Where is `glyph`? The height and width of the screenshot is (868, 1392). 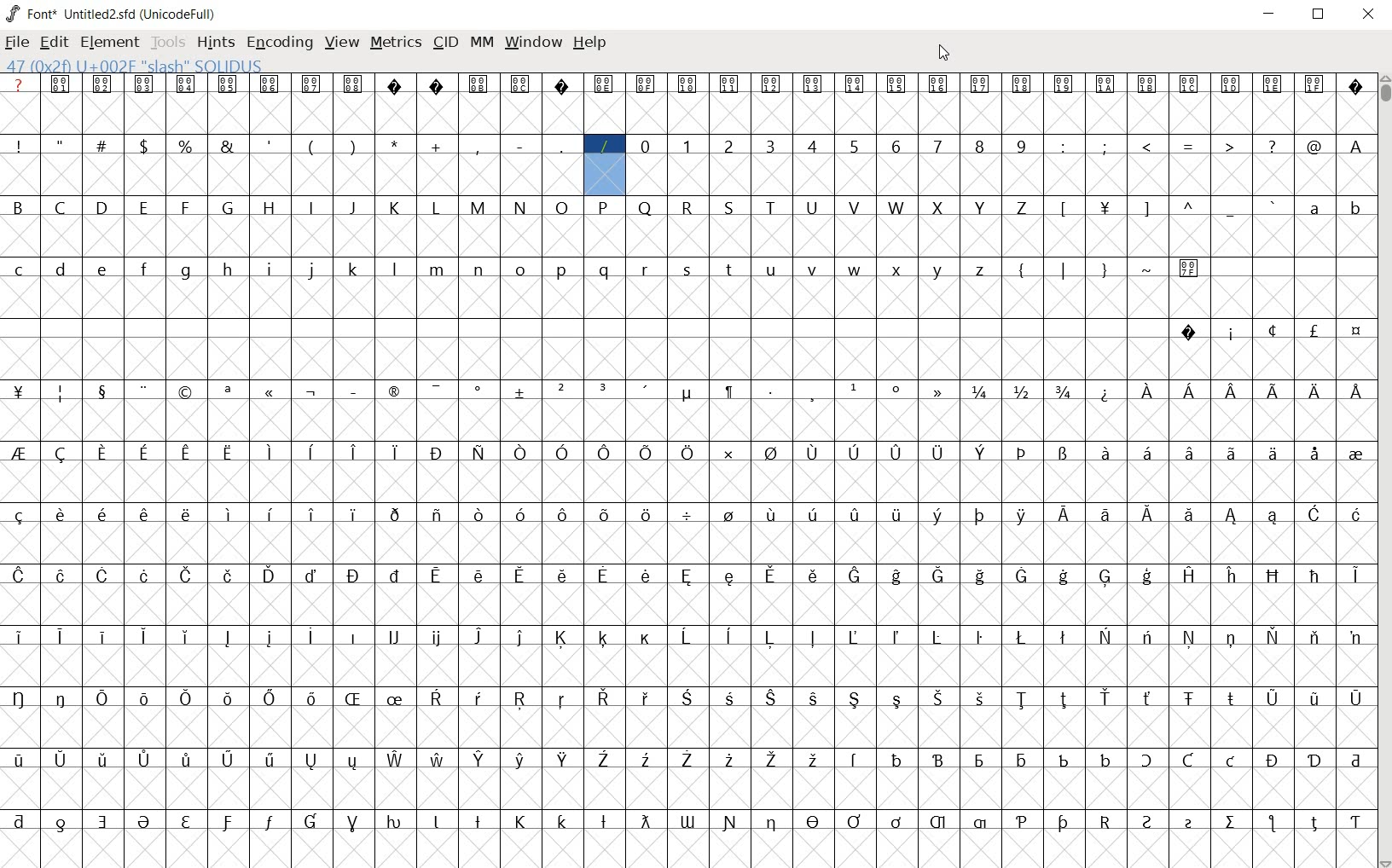
glyph is located at coordinates (396, 699).